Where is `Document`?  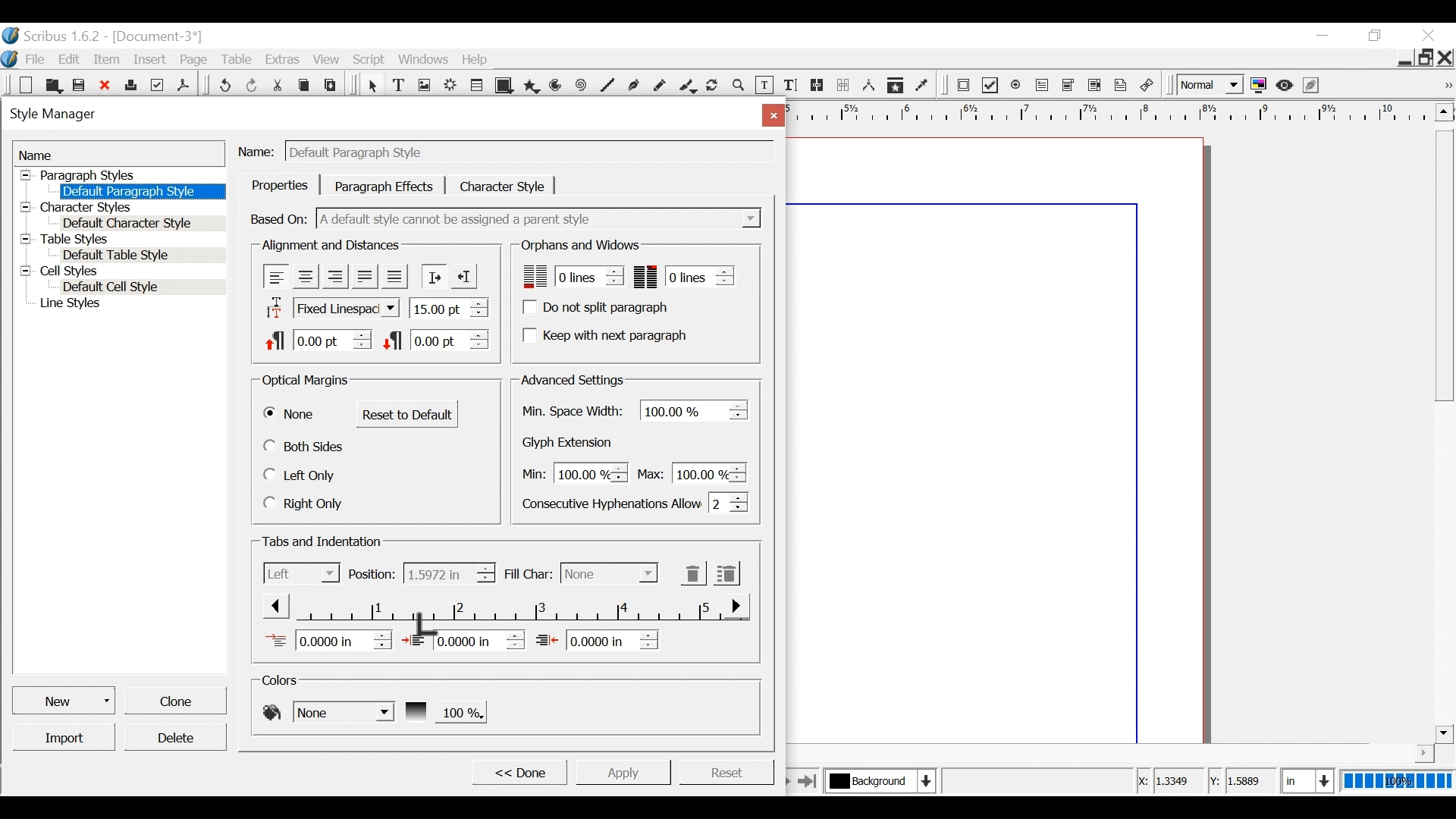
Document is located at coordinates (155, 36).